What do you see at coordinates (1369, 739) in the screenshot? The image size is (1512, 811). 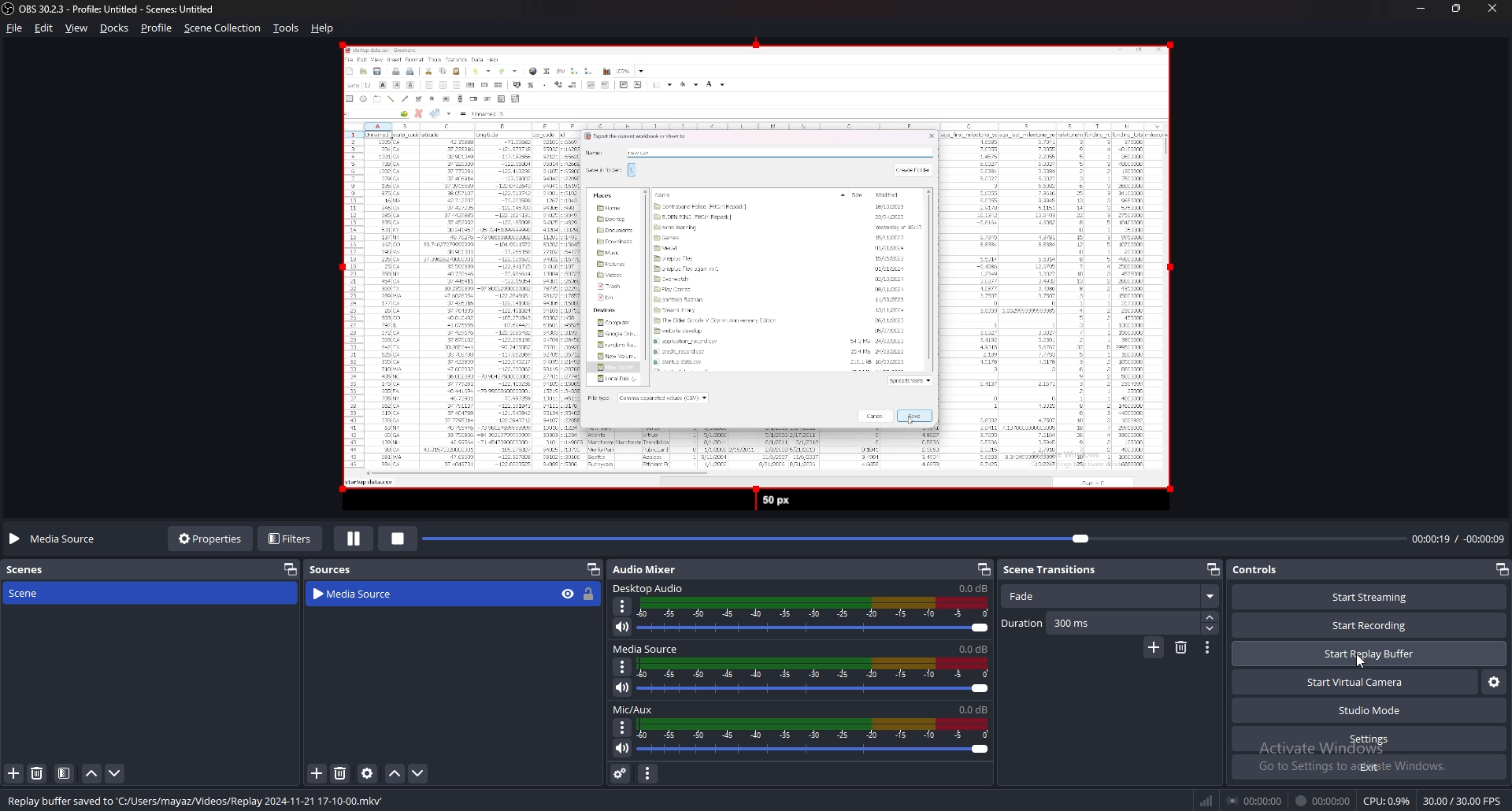 I see `settings` at bounding box center [1369, 739].